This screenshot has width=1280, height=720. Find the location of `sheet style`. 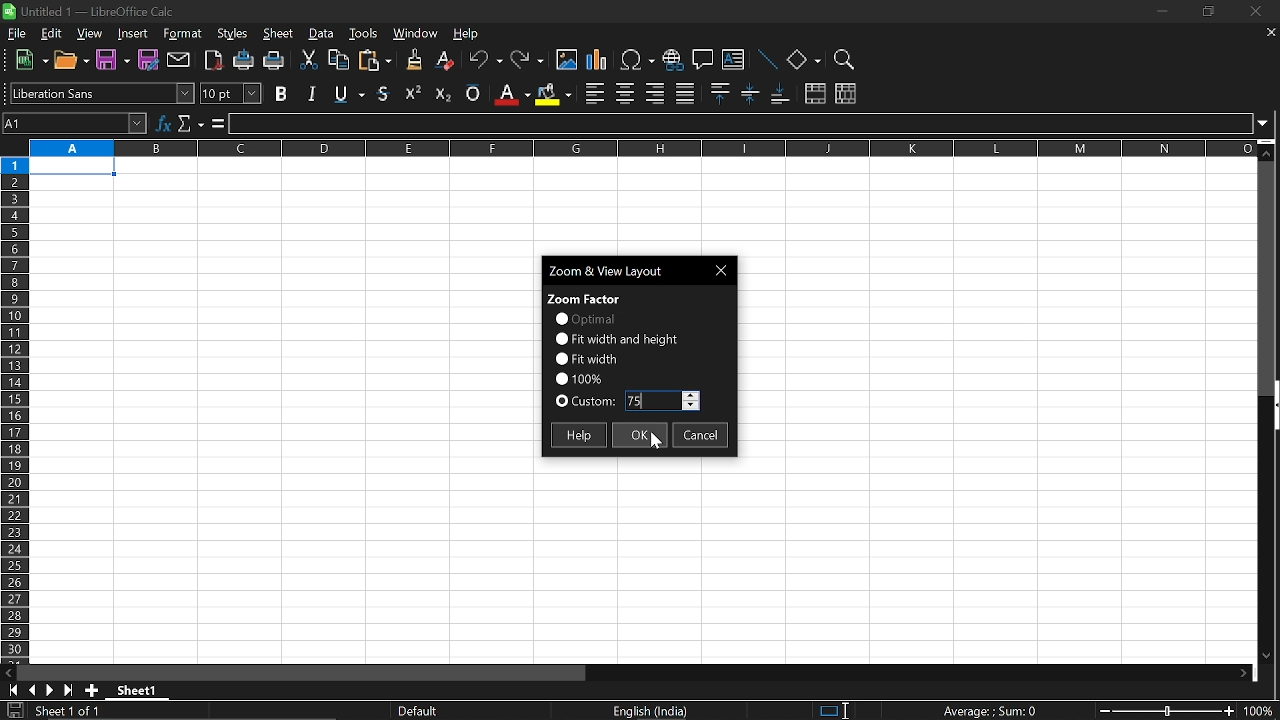

sheet style is located at coordinates (421, 711).